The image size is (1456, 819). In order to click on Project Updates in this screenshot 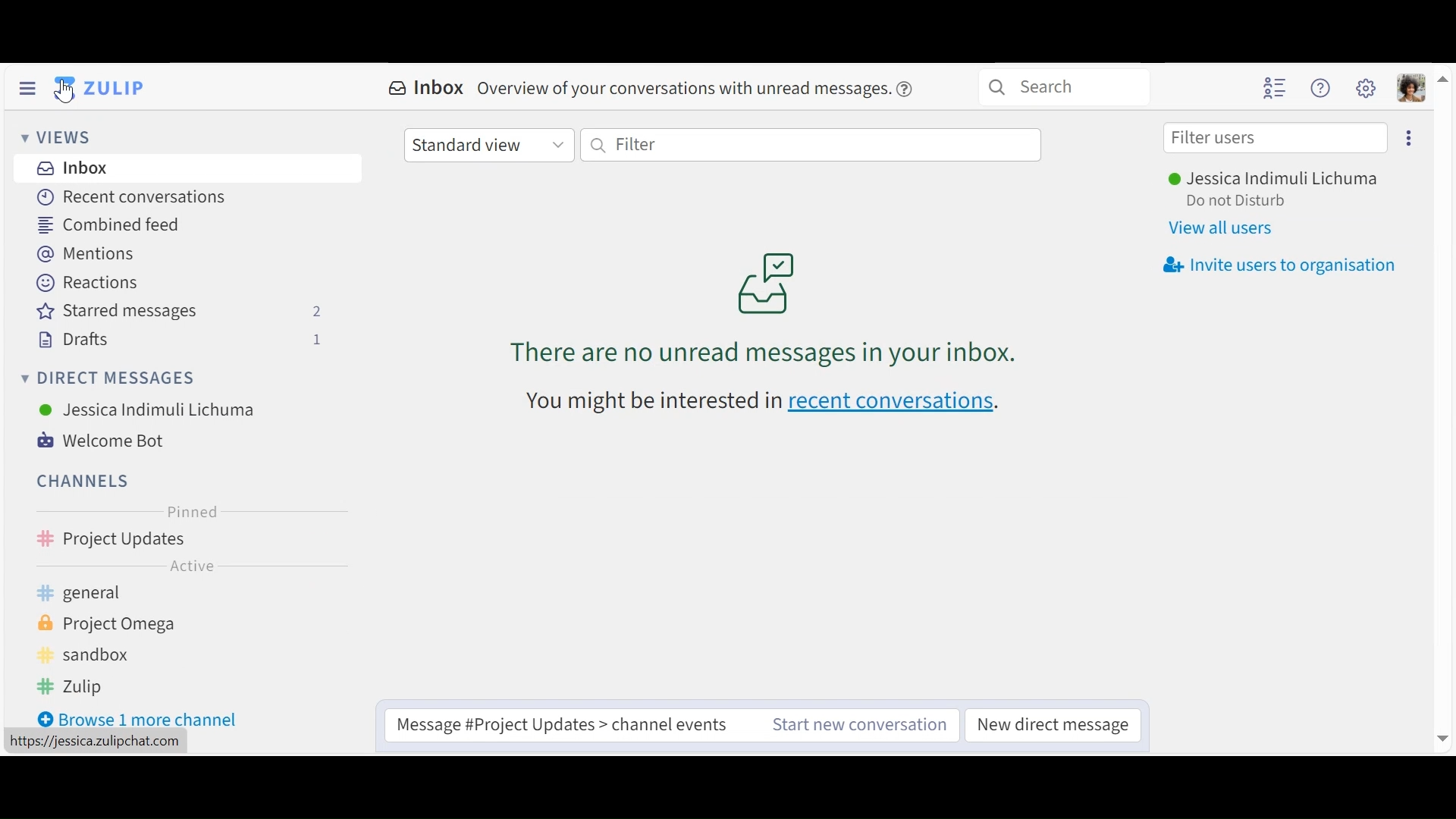, I will do `click(165, 539)`.